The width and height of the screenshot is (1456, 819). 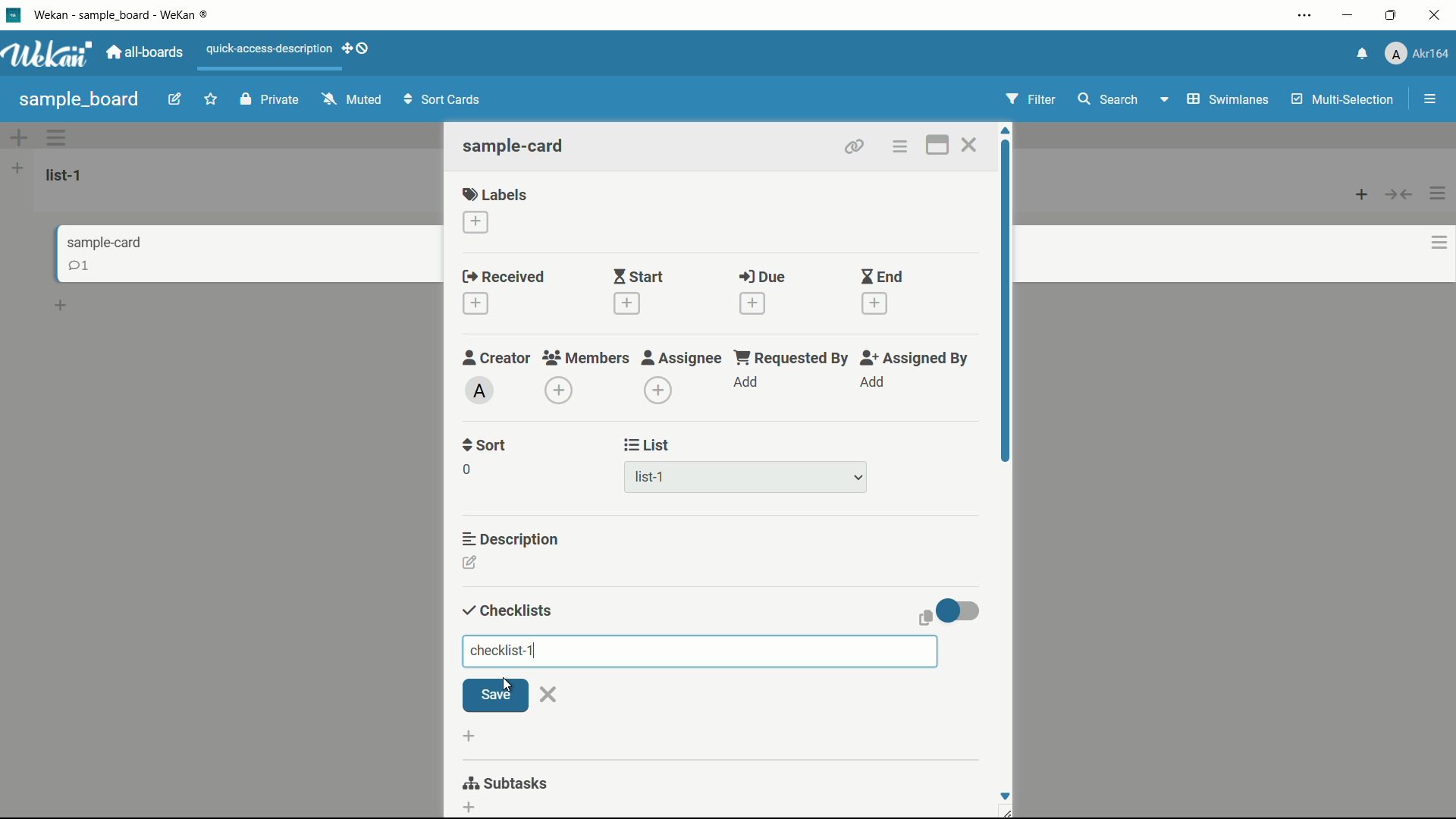 What do you see at coordinates (469, 736) in the screenshot?
I see `add list` at bounding box center [469, 736].